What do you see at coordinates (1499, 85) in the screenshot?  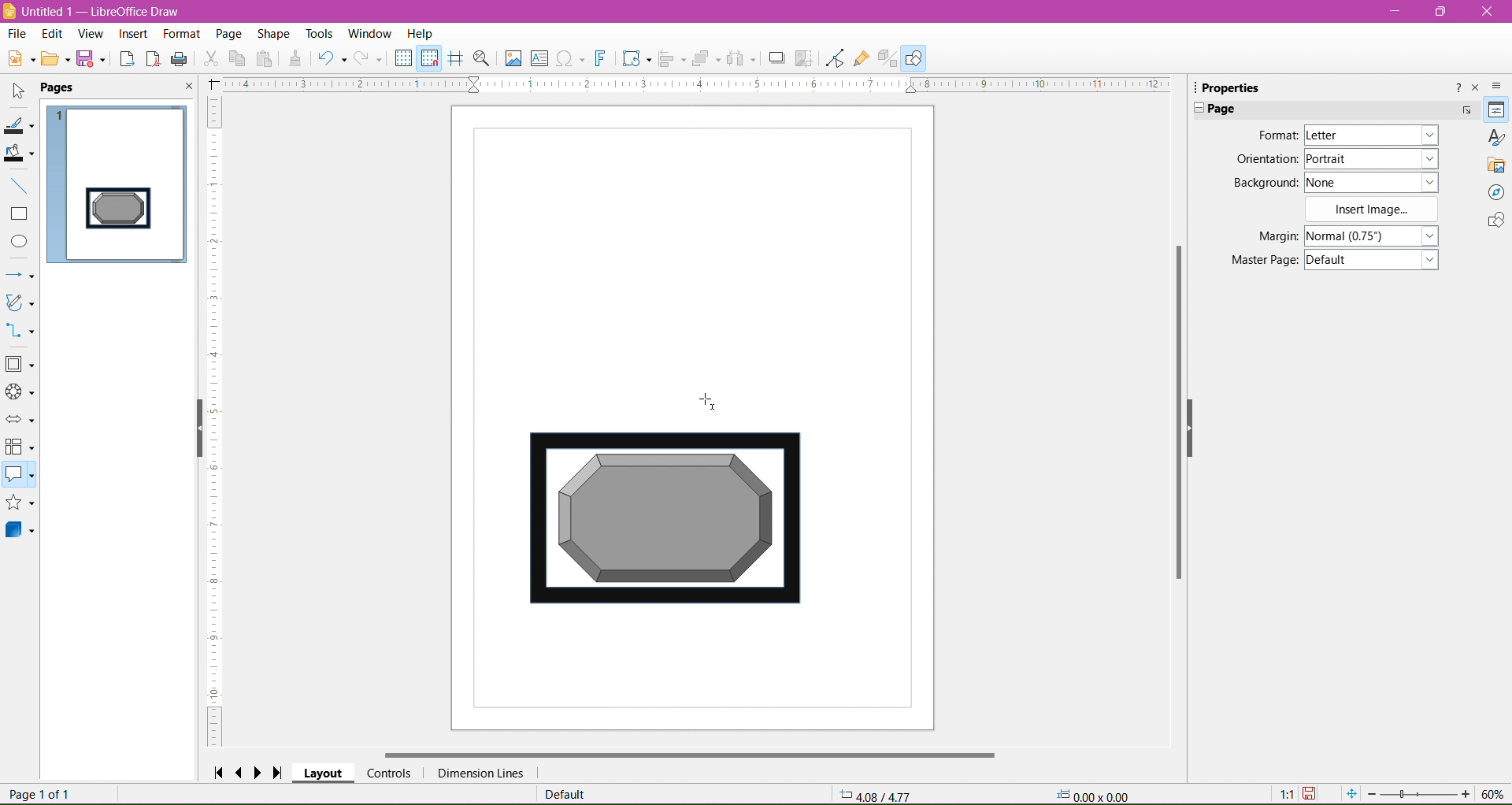 I see `Sidebar settings` at bounding box center [1499, 85].